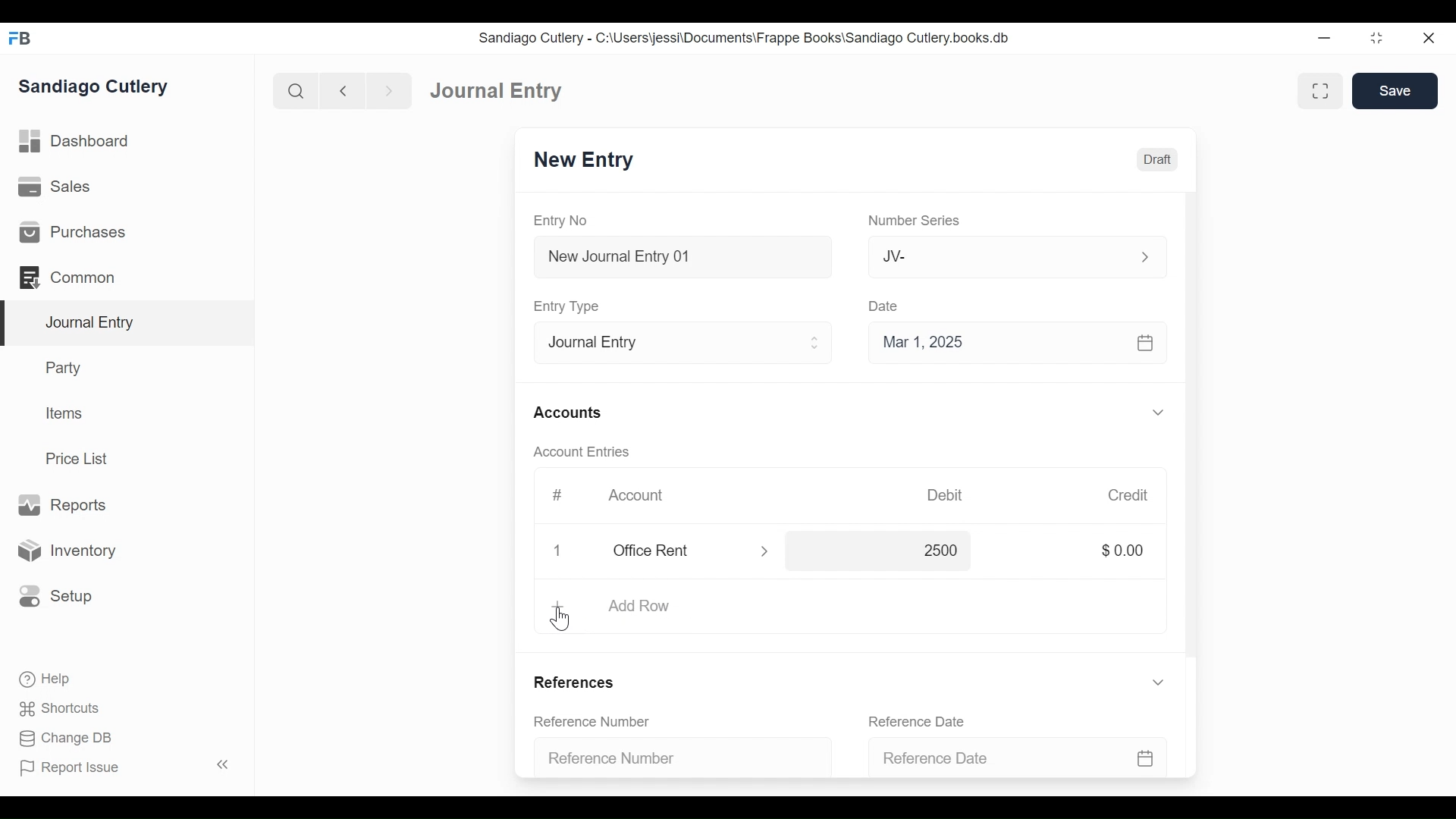 The height and width of the screenshot is (819, 1456). I want to click on Jv-, so click(1007, 257).